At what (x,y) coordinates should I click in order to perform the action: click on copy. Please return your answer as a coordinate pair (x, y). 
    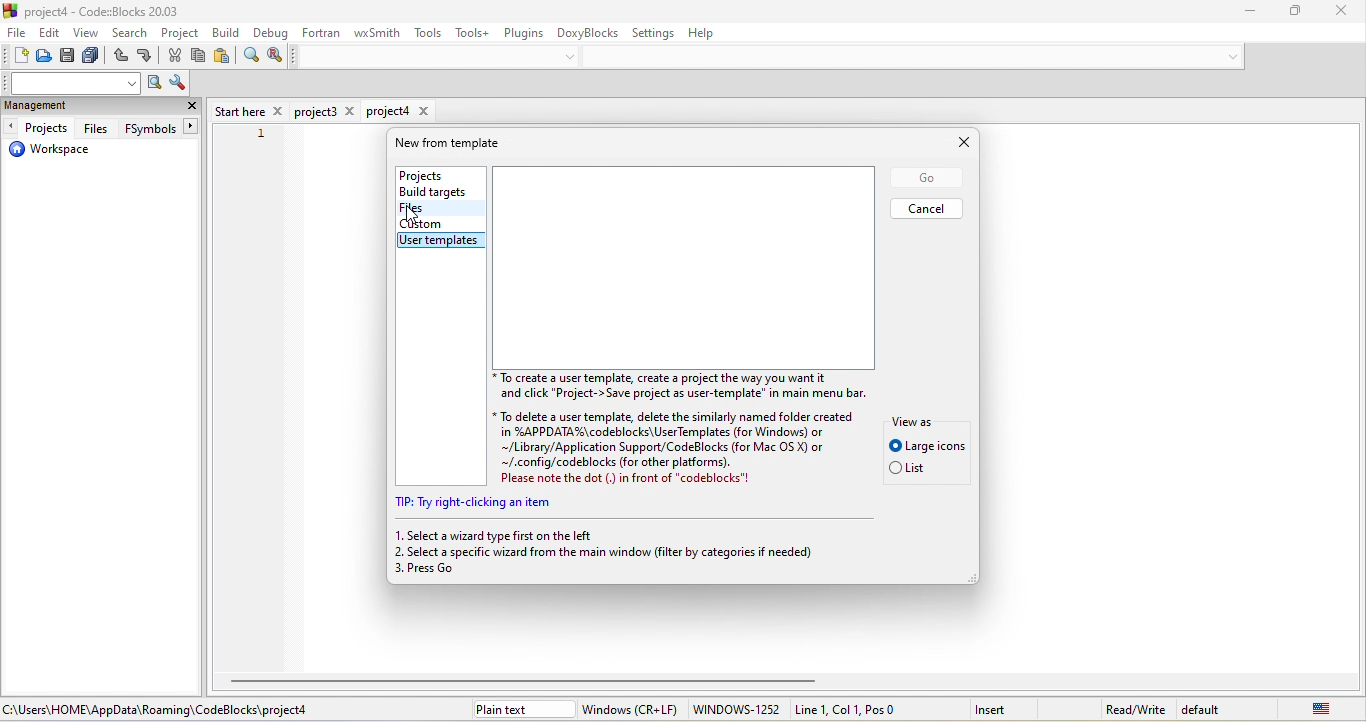
    Looking at the image, I should click on (200, 57).